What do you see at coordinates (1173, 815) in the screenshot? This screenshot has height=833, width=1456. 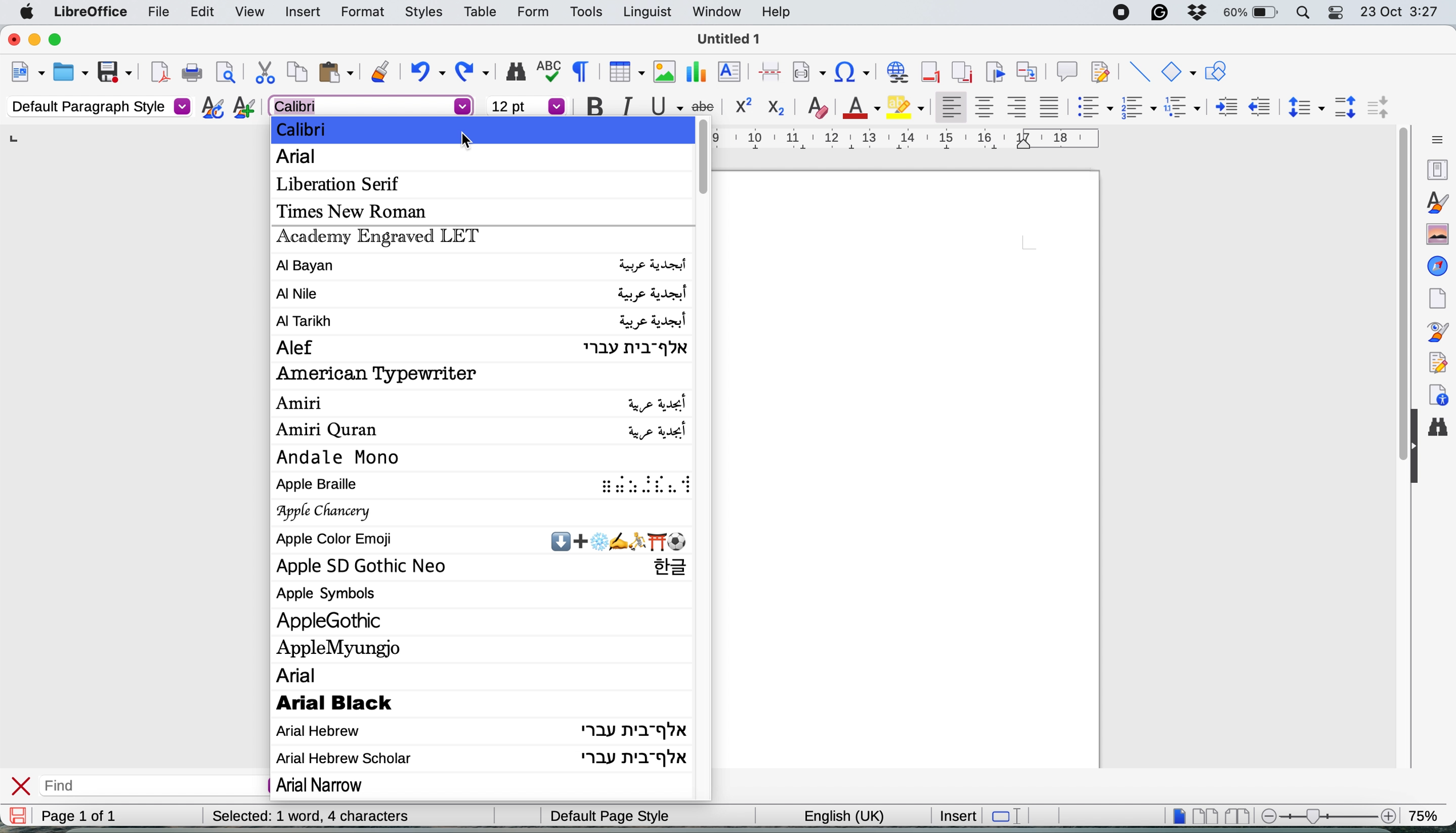 I see `single page view` at bounding box center [1173, 815].